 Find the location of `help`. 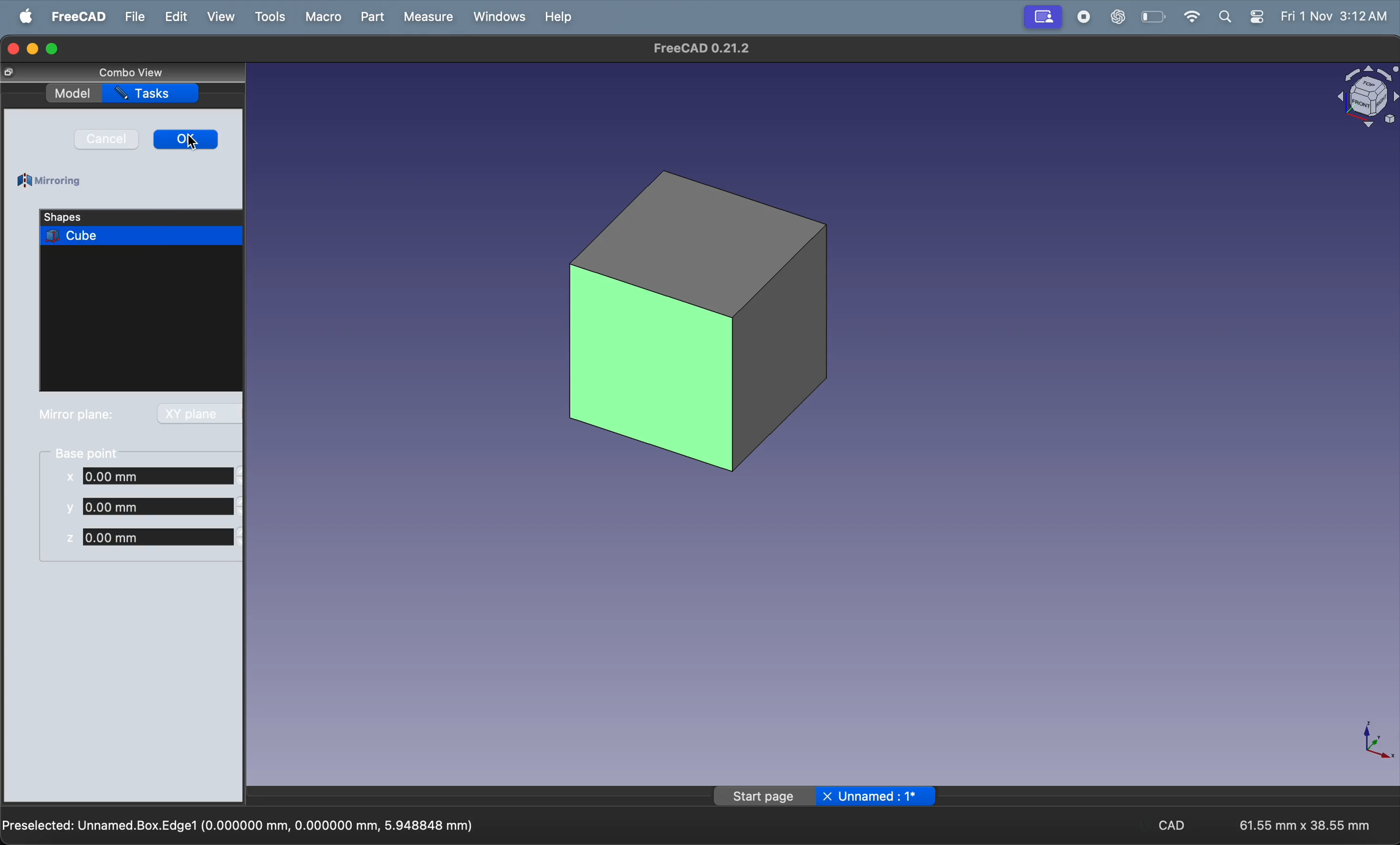

help is located at coordinates (557, 18).